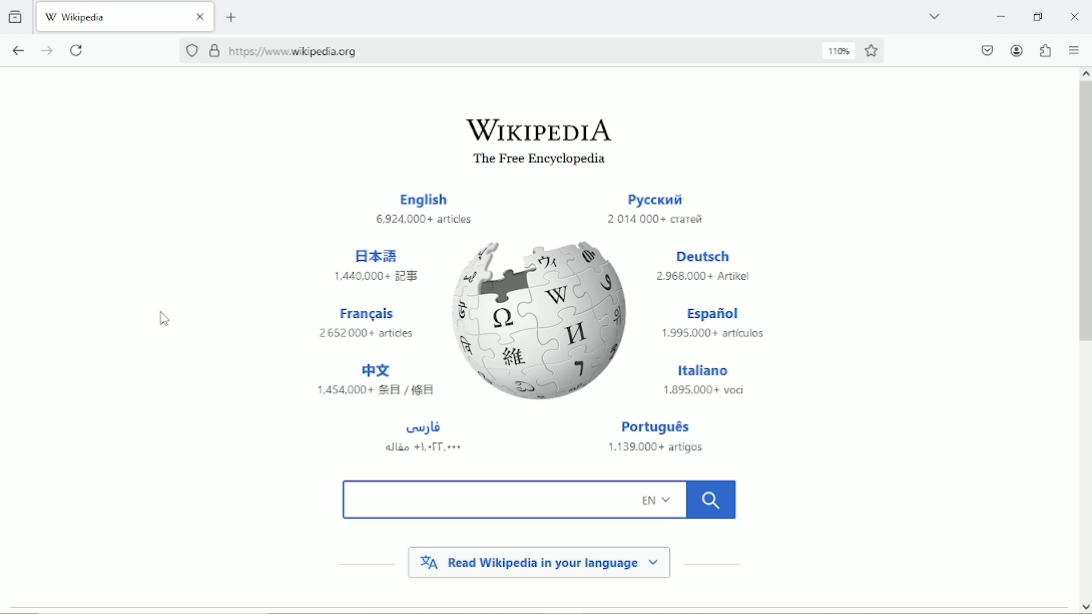 The width and height of the screenshot is (1092, 614). Describe the element at coordinates (1074, 14) in the screenshot. I see `Close` at that location.